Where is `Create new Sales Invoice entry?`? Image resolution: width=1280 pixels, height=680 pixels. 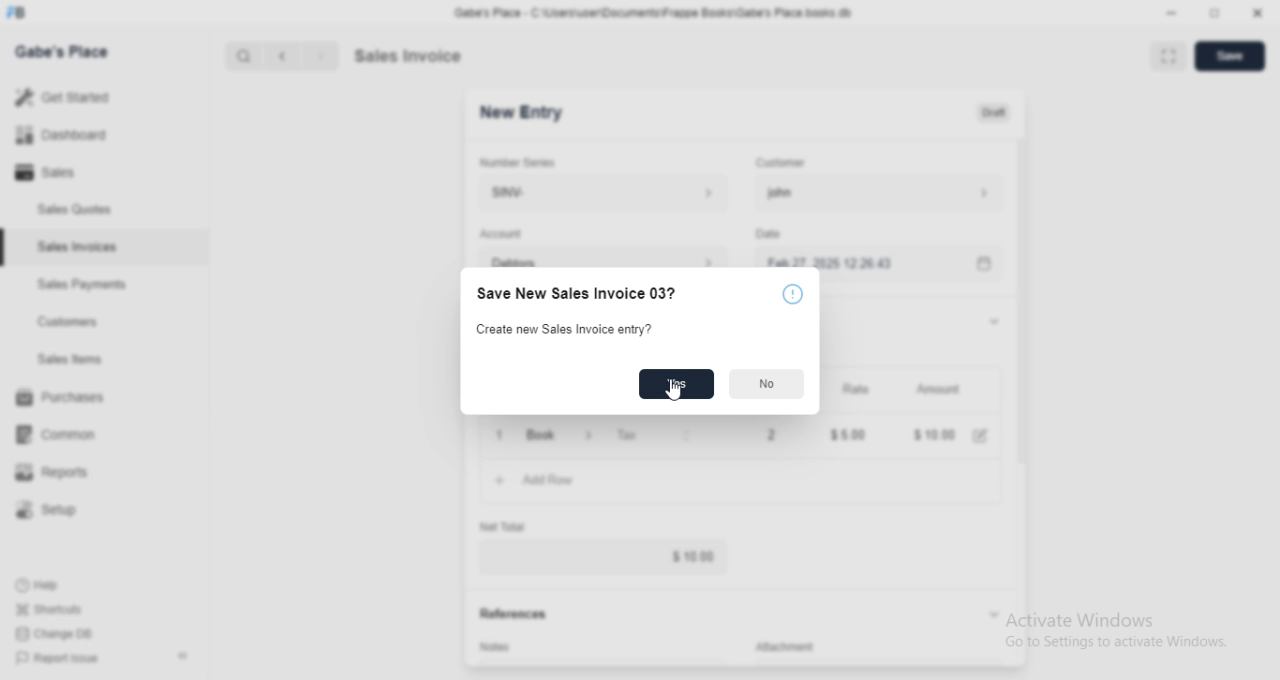
Create new Sales Invoice entry? is located at coordinates (560, 329).